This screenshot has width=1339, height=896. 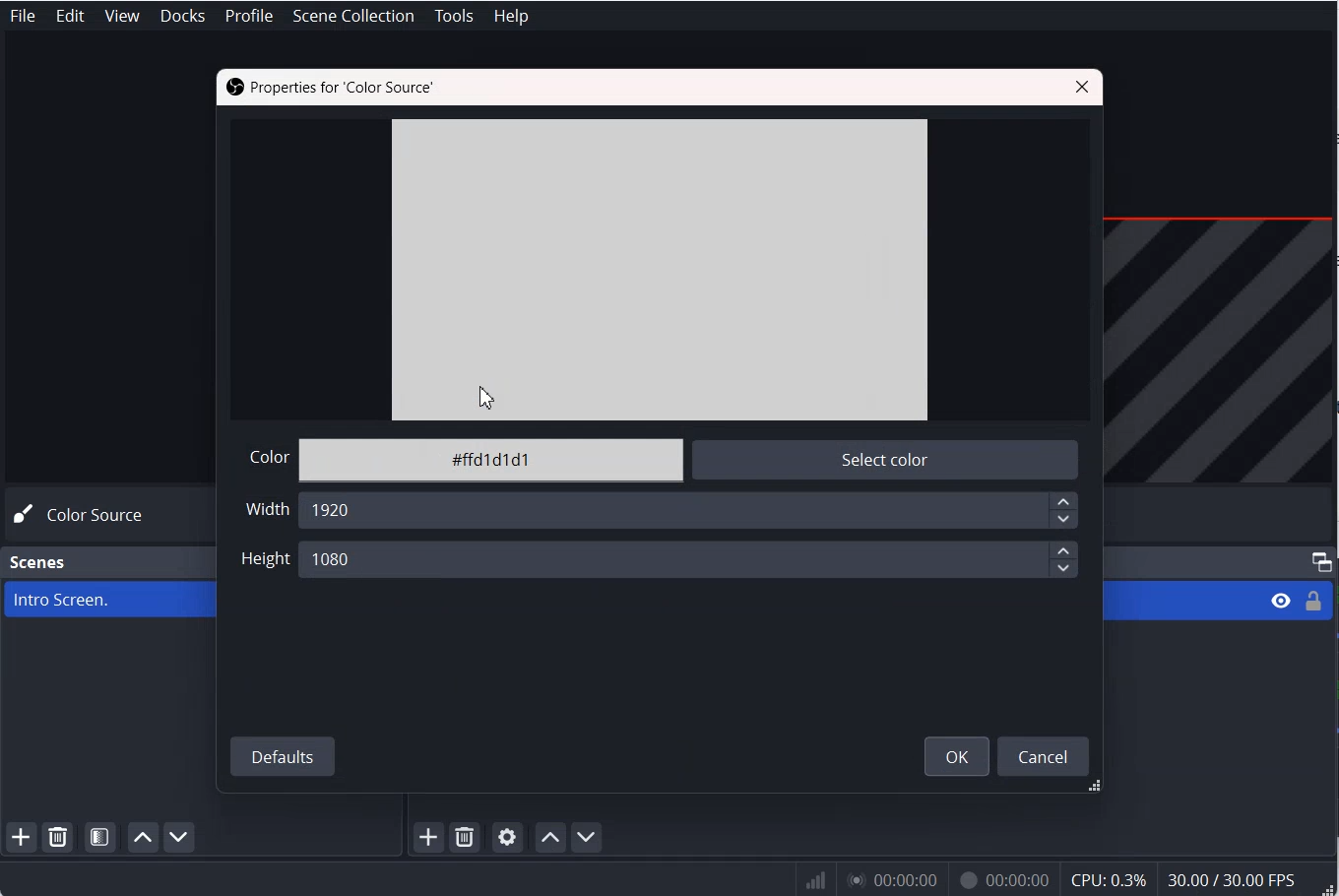 What do you see at coordinates (1046, 755) in the screenshot?
I see `Cancel` at bounding box center [1046, 755].